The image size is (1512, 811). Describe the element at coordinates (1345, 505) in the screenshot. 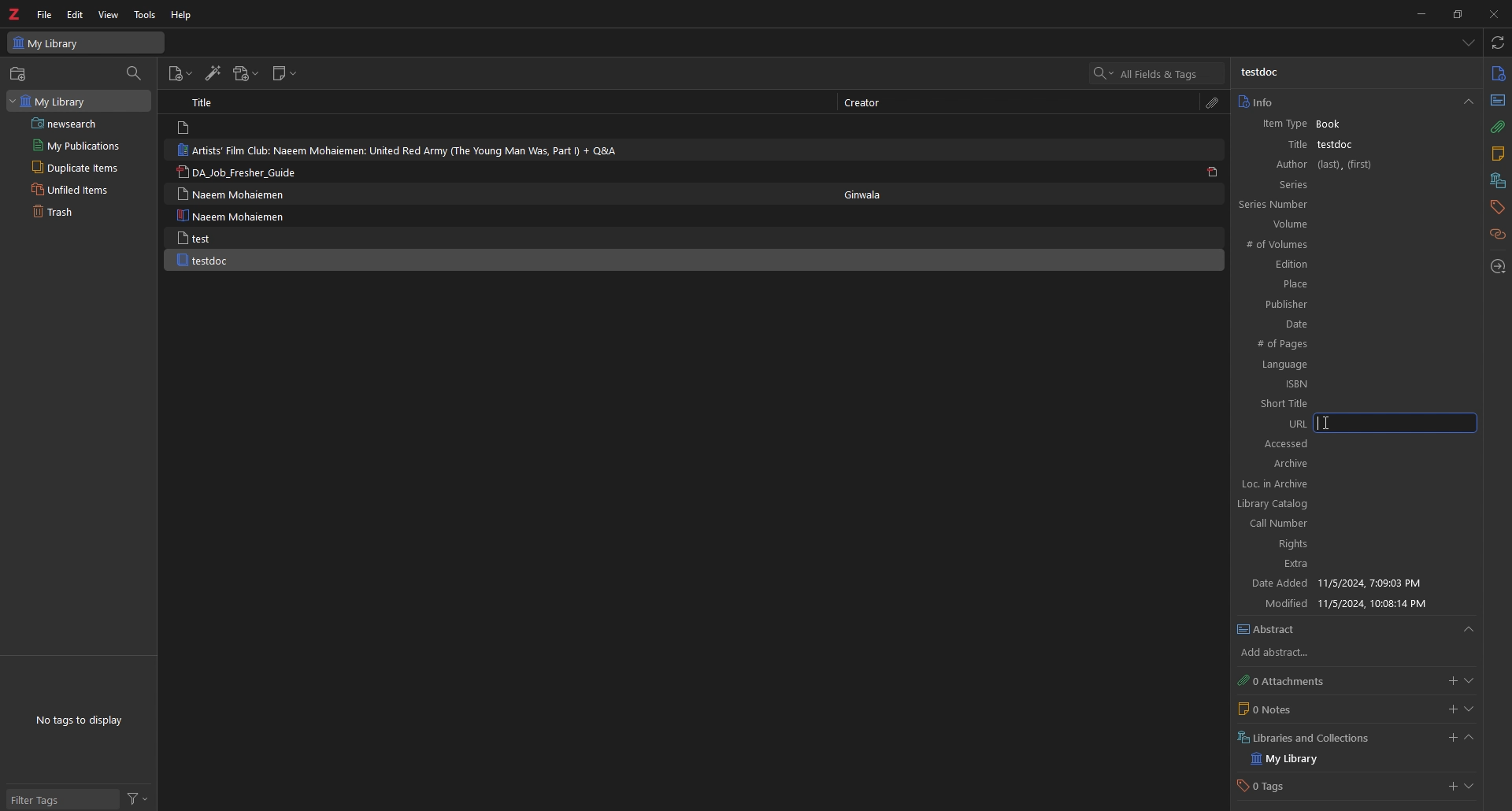

I see `Library catalog` at that location.